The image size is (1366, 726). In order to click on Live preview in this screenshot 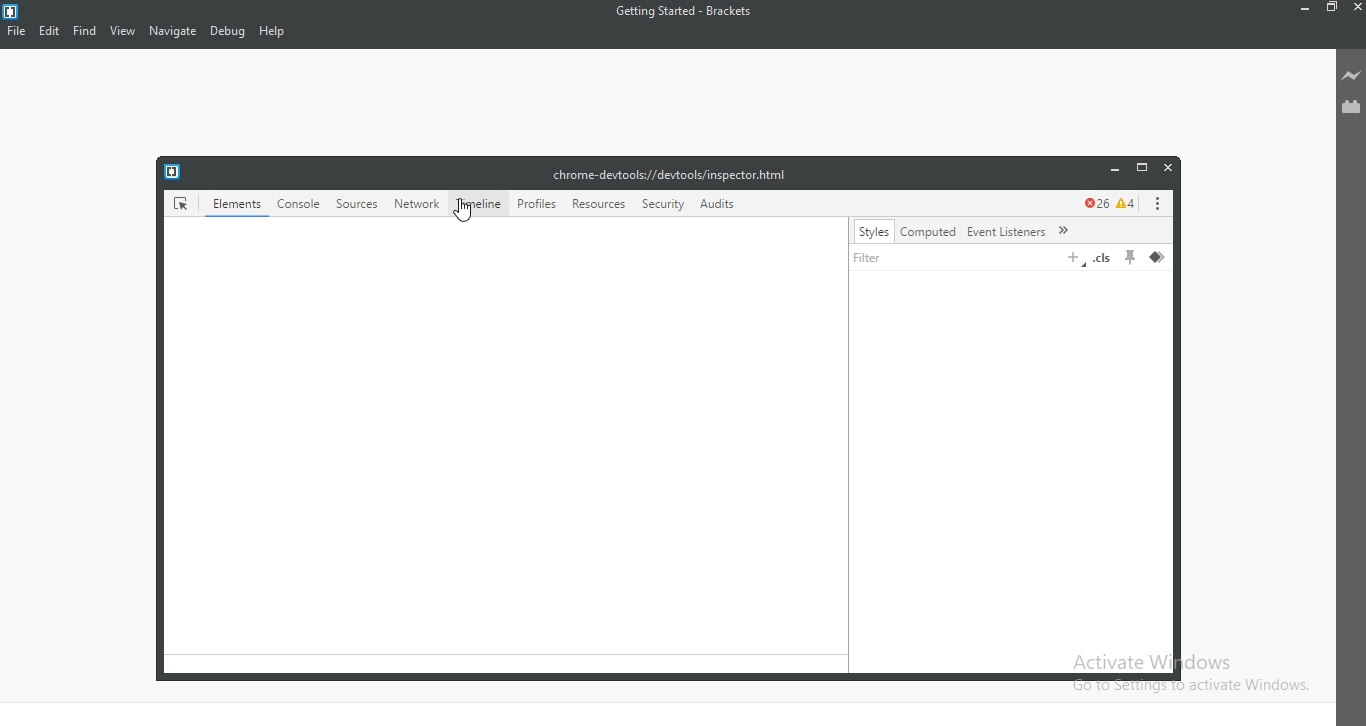, I will do `click(1351, 75)`.